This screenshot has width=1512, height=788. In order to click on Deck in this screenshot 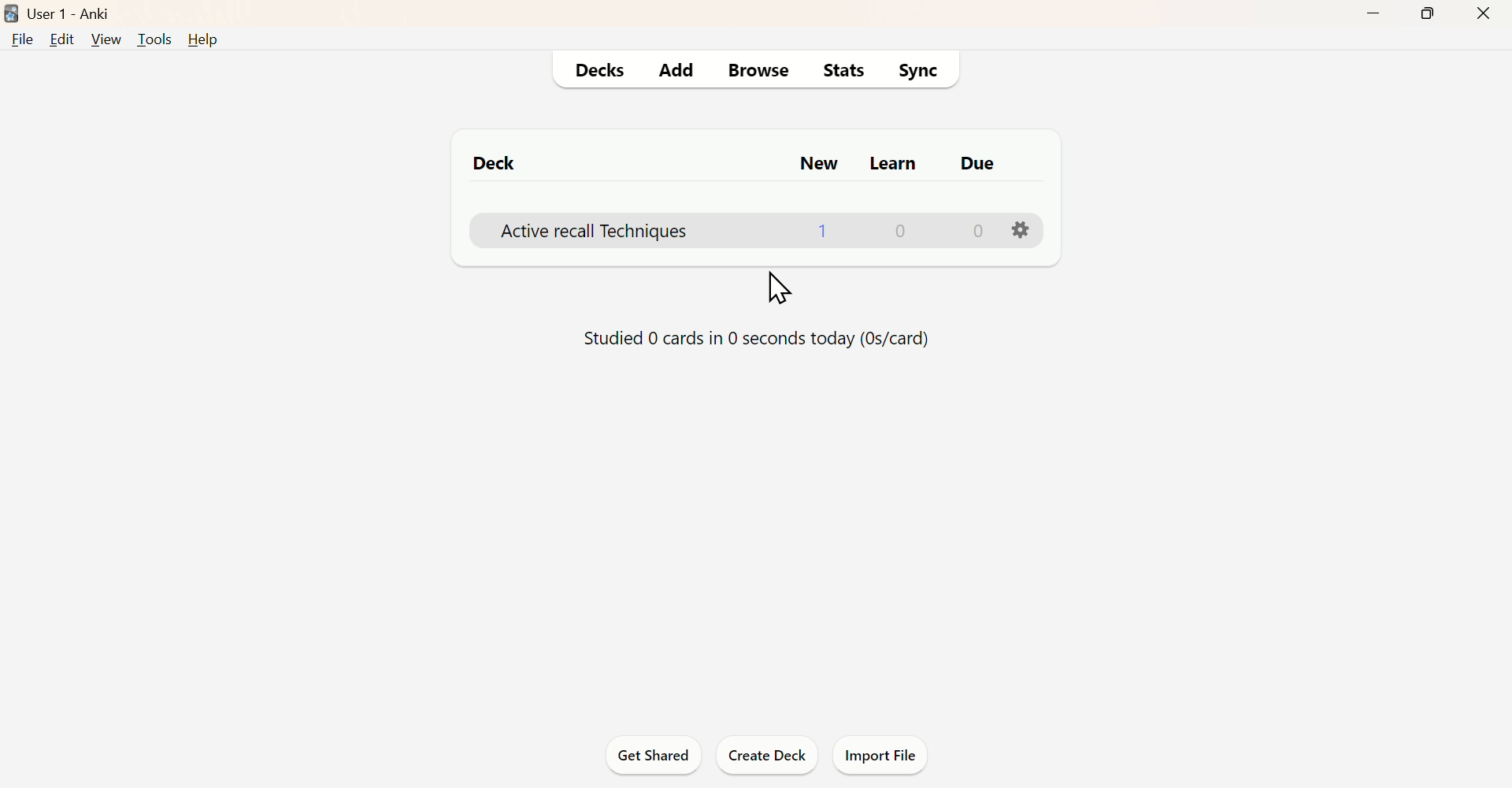, I will do `click(495, 162)`.